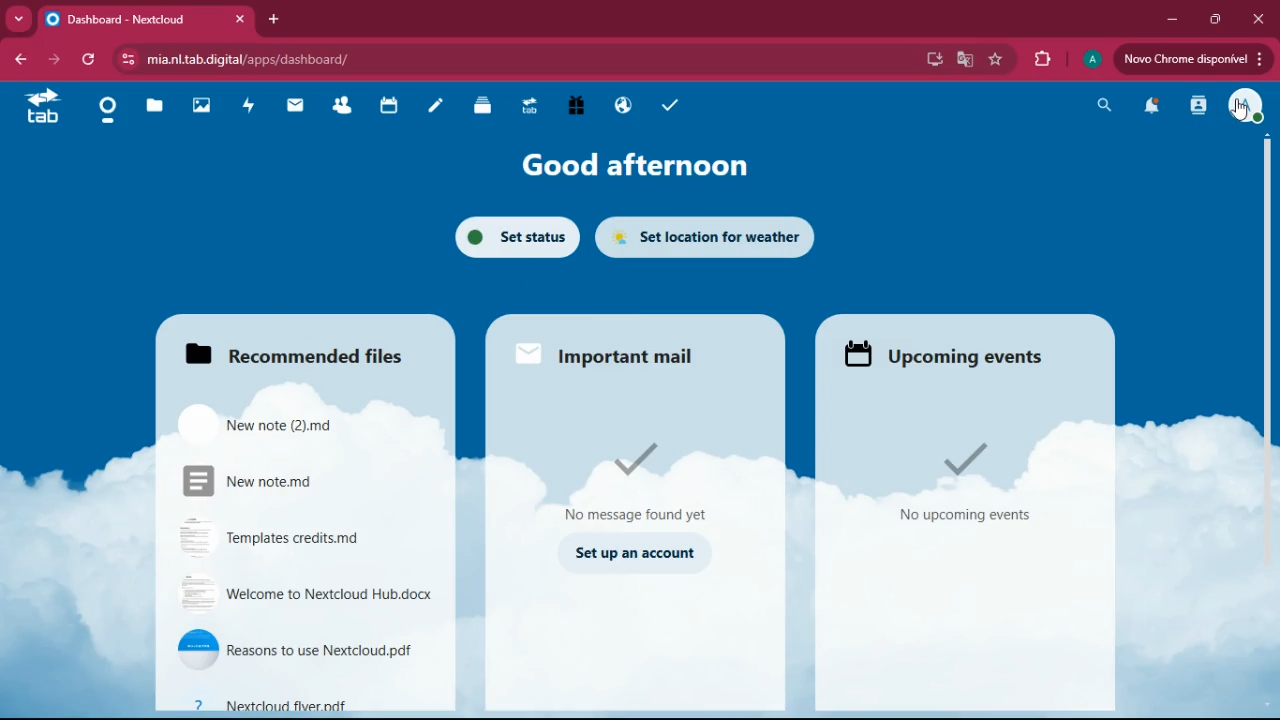  What do you see at coordinates (996, 61) in the screenshot?
I see `favorite` at bounding box center [996, 61].